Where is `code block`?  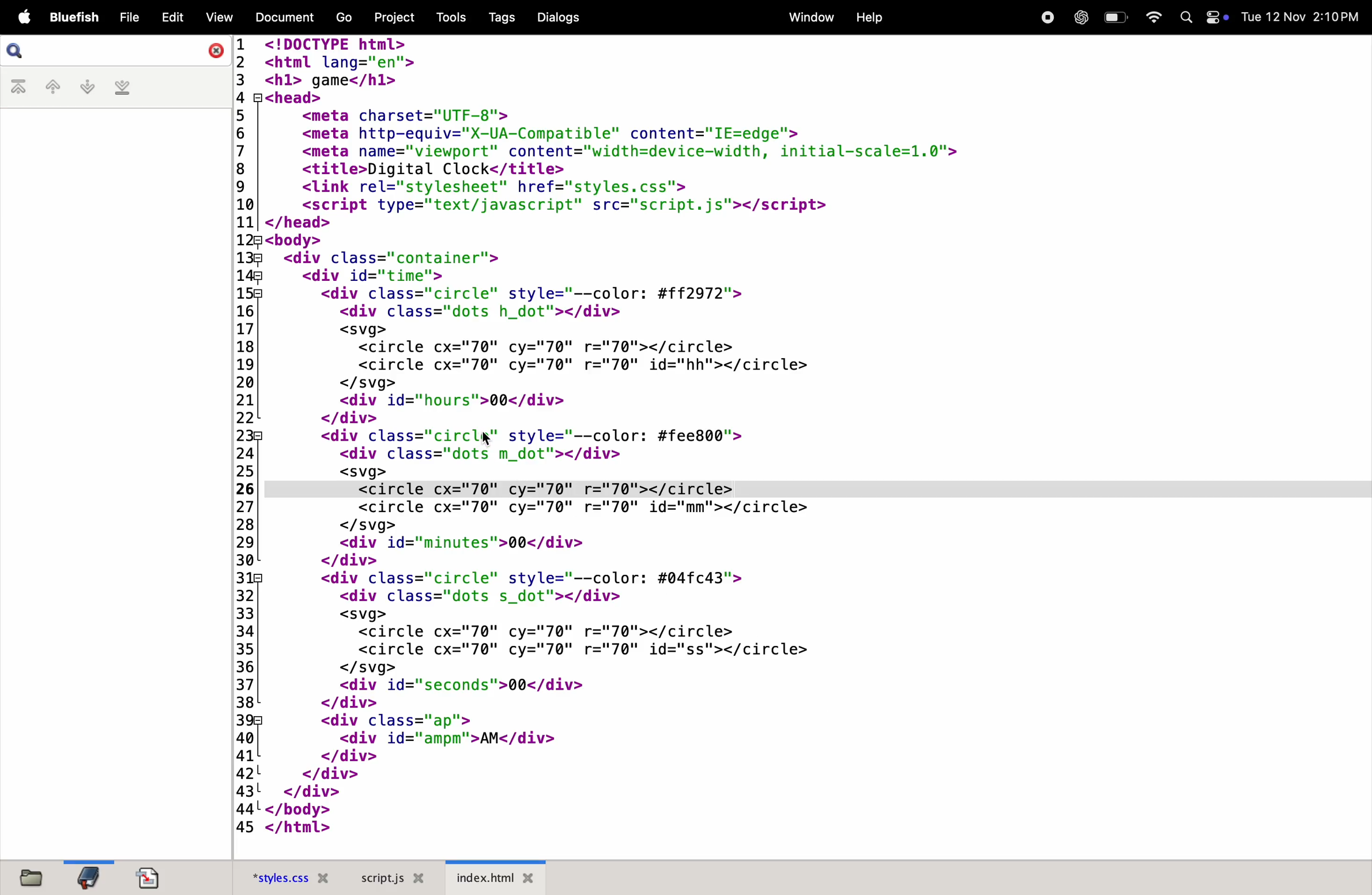 code block is located at coordinates (685, 434).